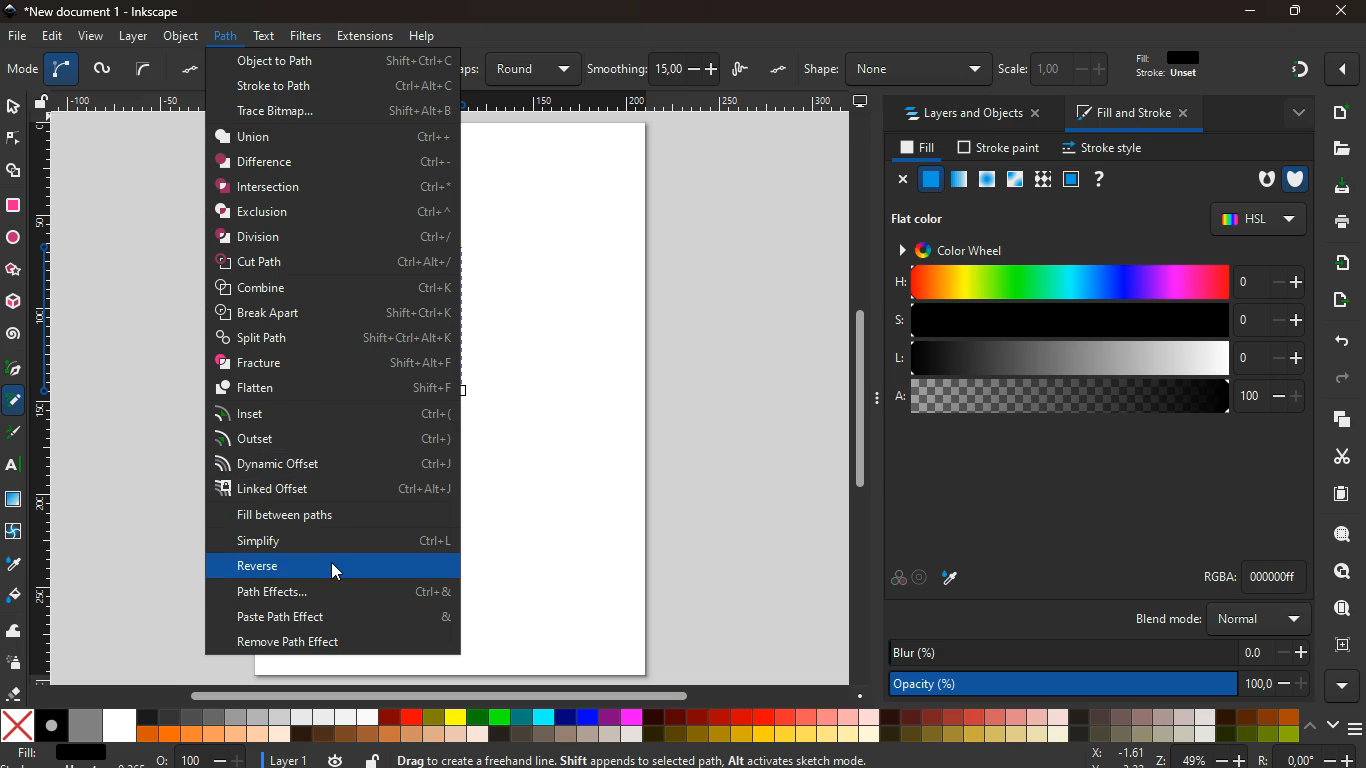 The width and height of the screenshot is (1366, 768). What do you see at coordinates (333, 162) in the screenshot?
I see `difference` at bounding box center [333, 162].